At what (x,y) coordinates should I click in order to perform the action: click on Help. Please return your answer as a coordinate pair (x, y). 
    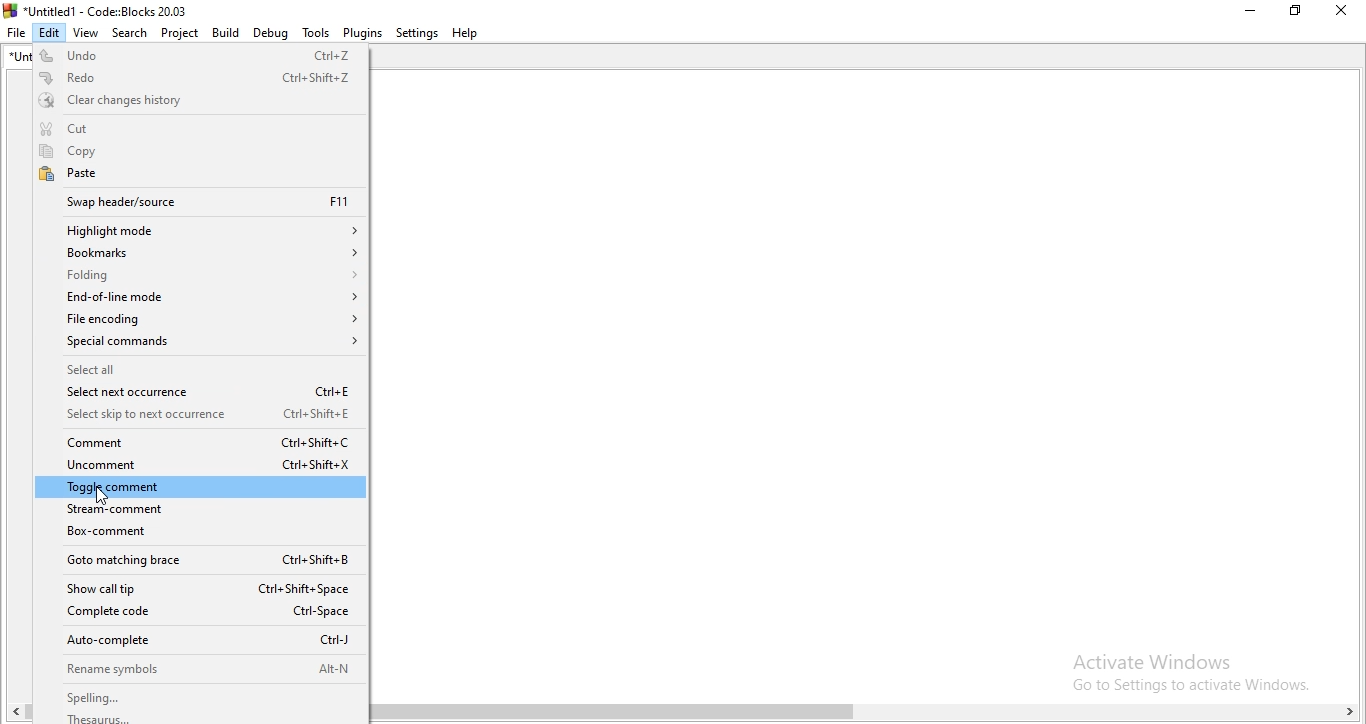
    Looking at the image, I should click on (466, 33).